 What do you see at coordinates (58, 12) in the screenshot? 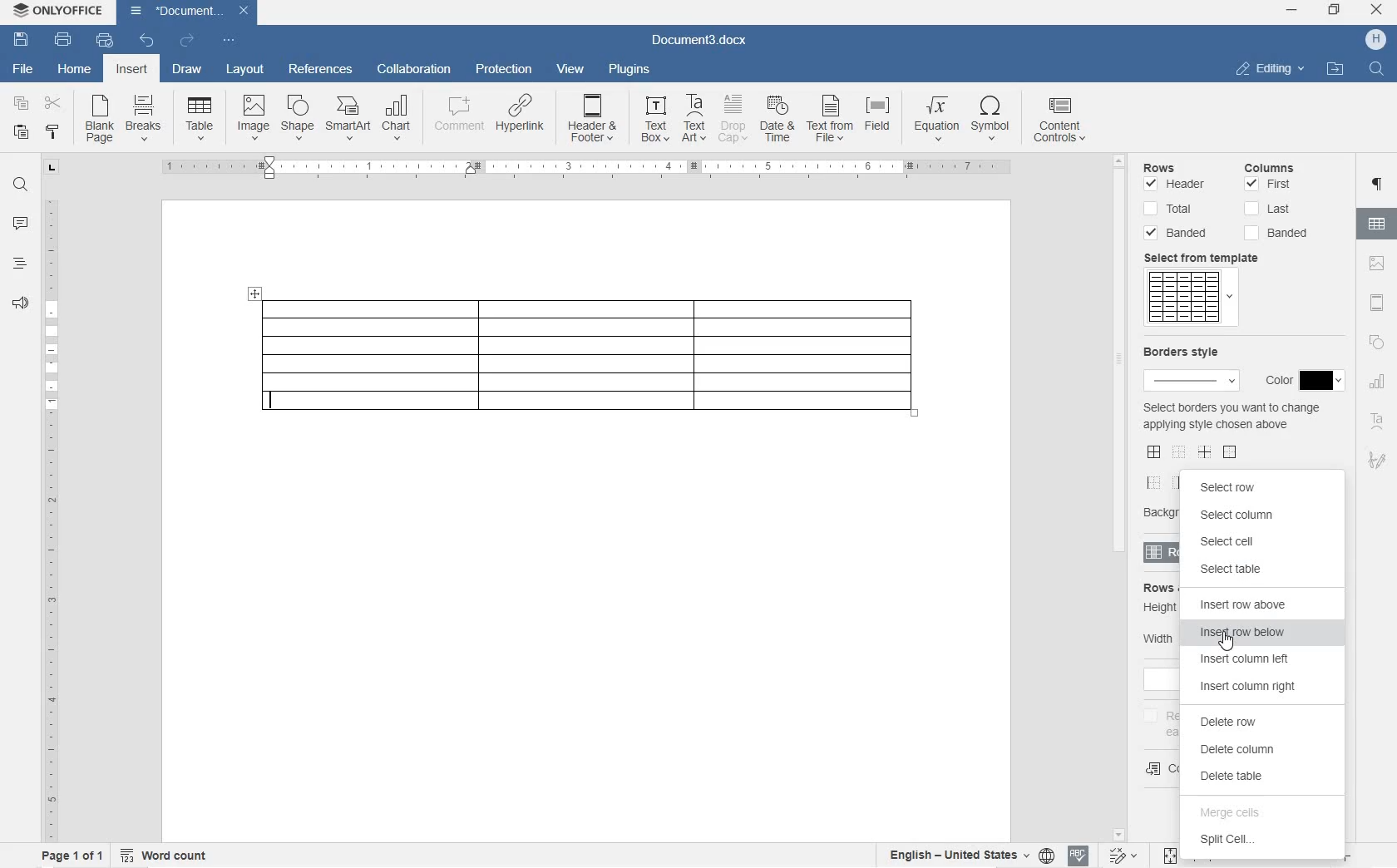
I see `ONLYOFFICE` at bounding box center [58, 12].